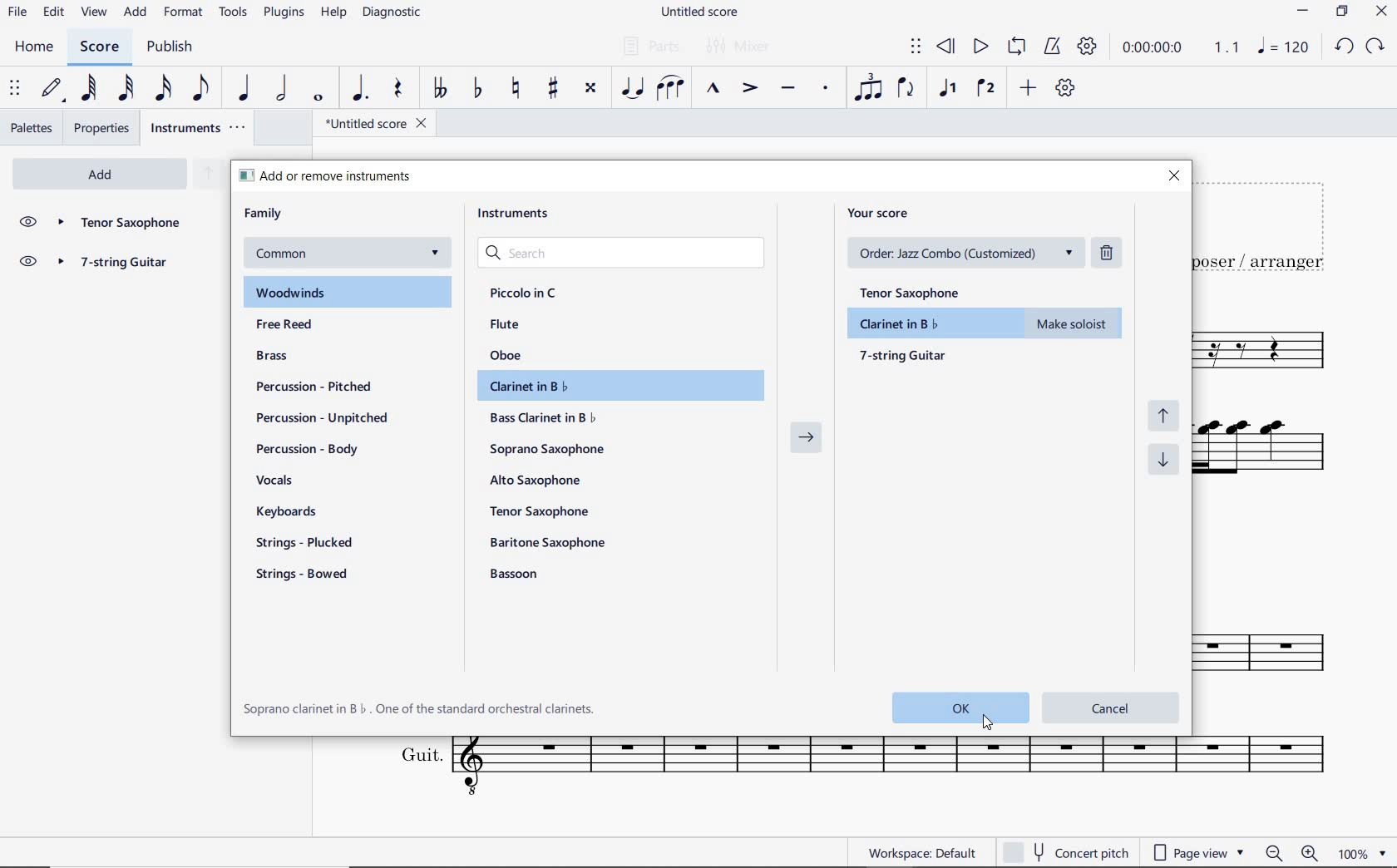  What do you see at coordinates (17, 11) in the screenshot?
I see `FILE` at bounding box center [17, 11].